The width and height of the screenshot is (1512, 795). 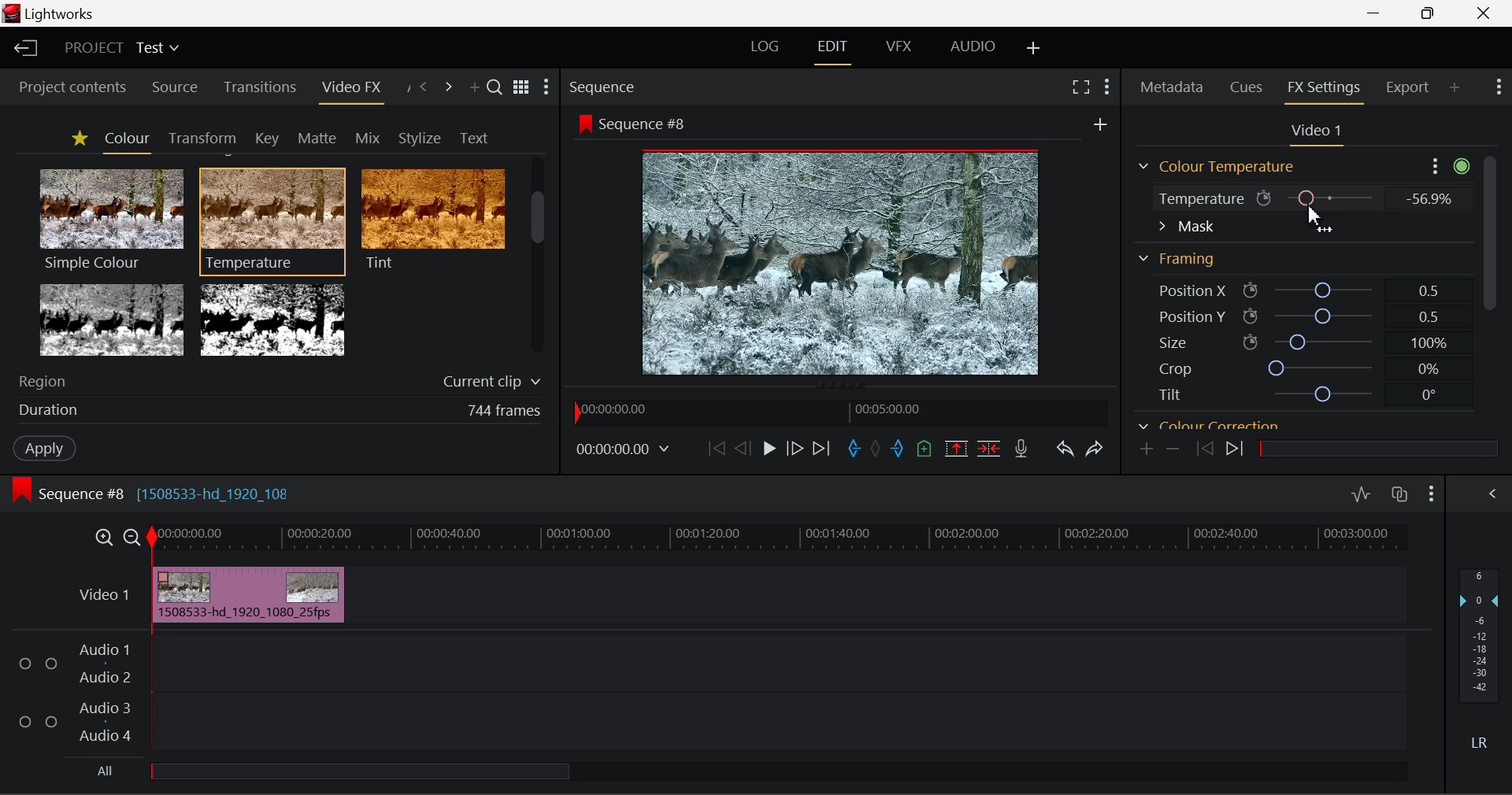 What do you see at coordinates (1251, 291) in the screenshot?
I see `icon` at bounding box center [1251, 291].